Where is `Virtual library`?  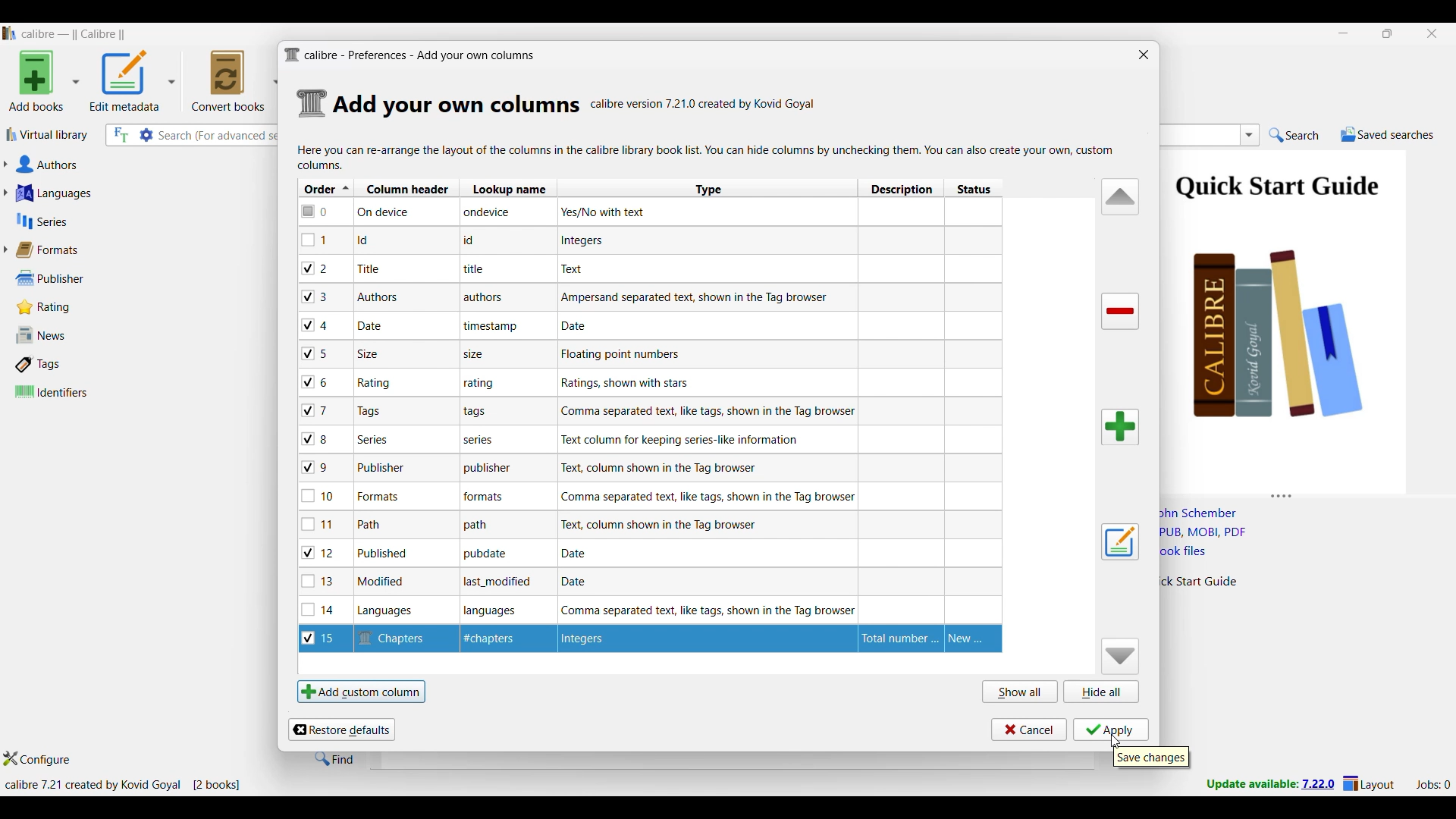 Virtual library is located at coordinates (48, 134).